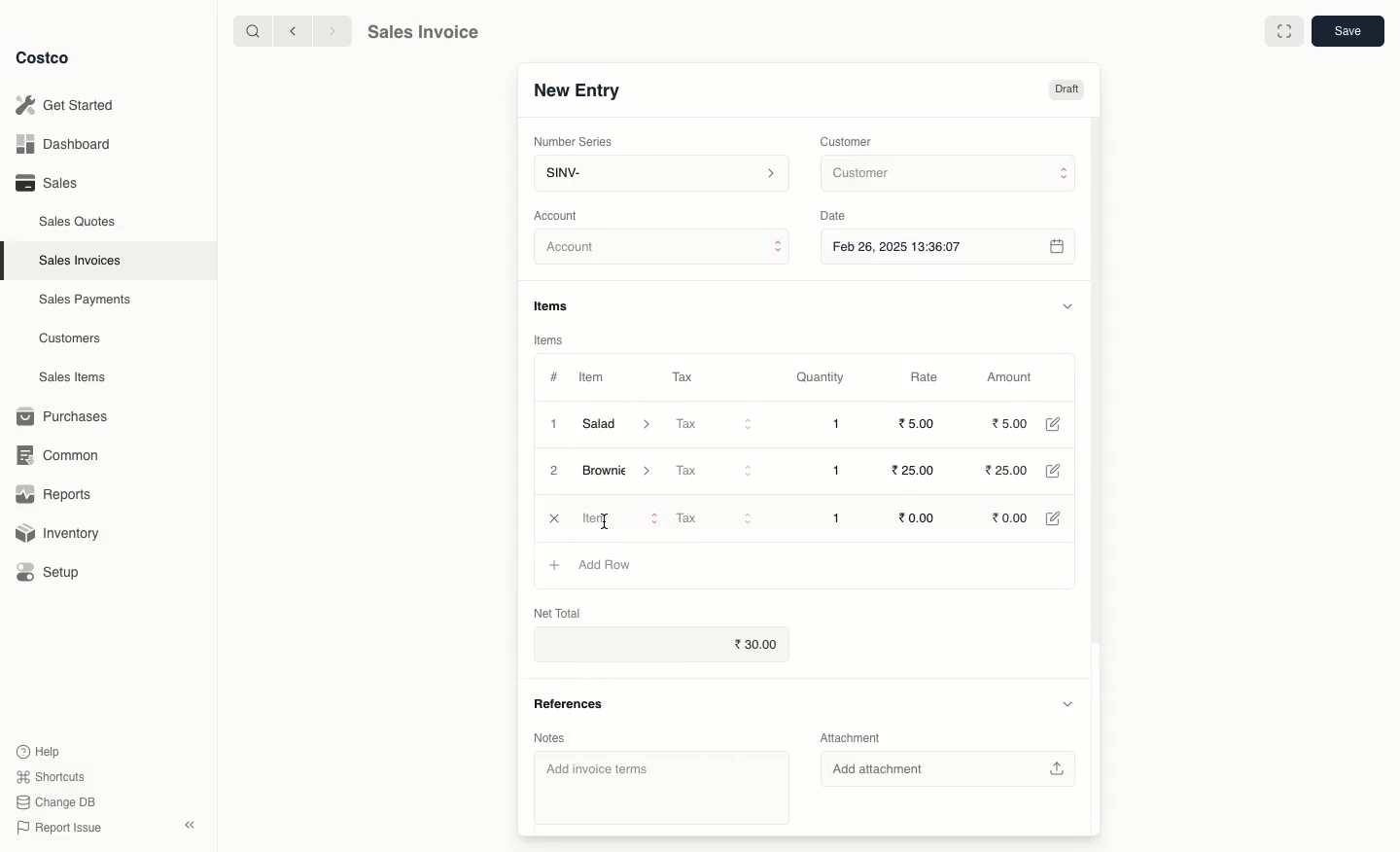 The width and height of the screenshot is (1400, 852). Describe the element at coordinates (660, 175) in the screenshot. I see `SINV-` at that location.